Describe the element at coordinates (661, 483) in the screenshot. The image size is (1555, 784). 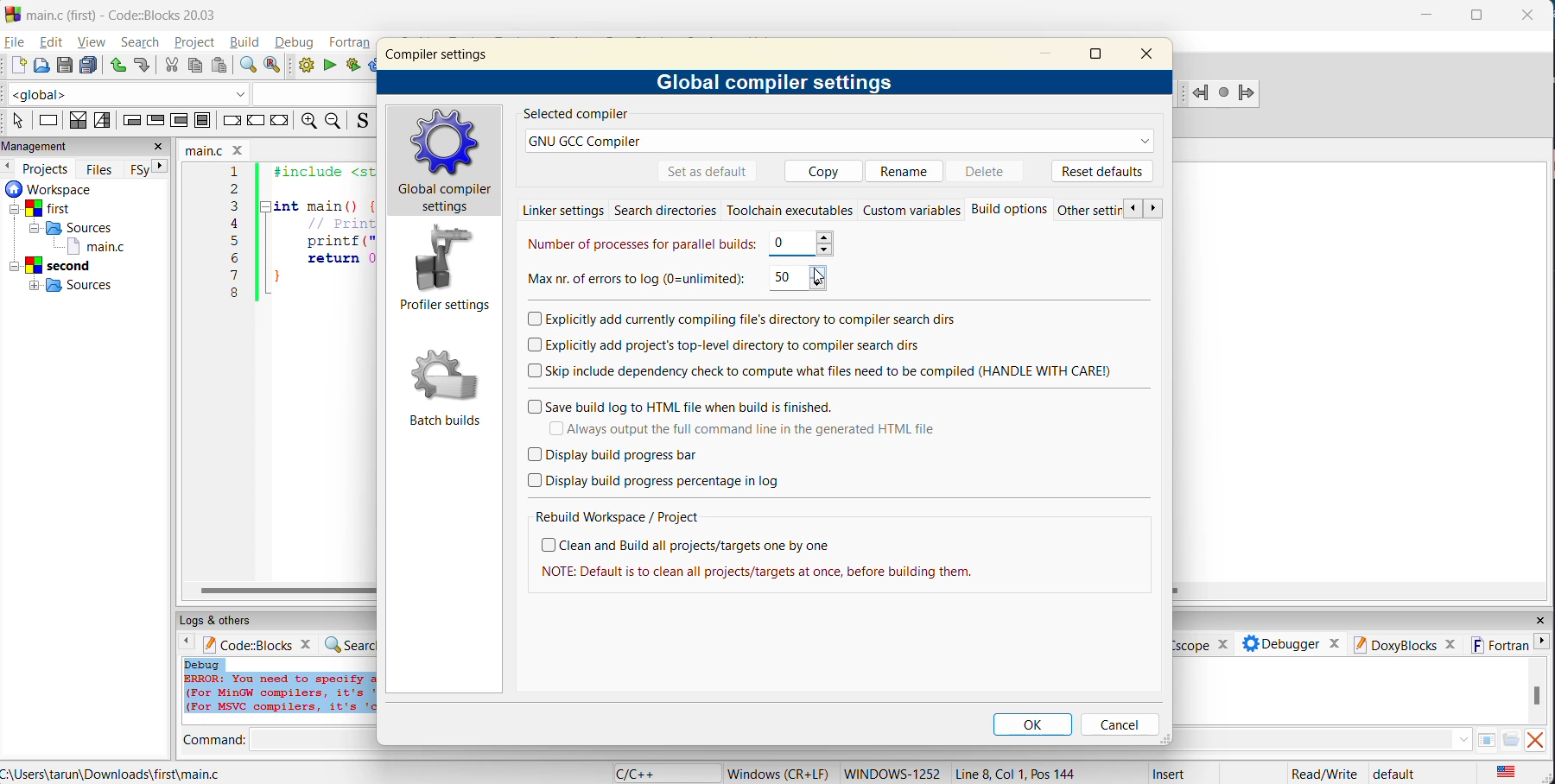
I see `display build progress percentage in log` at that location.